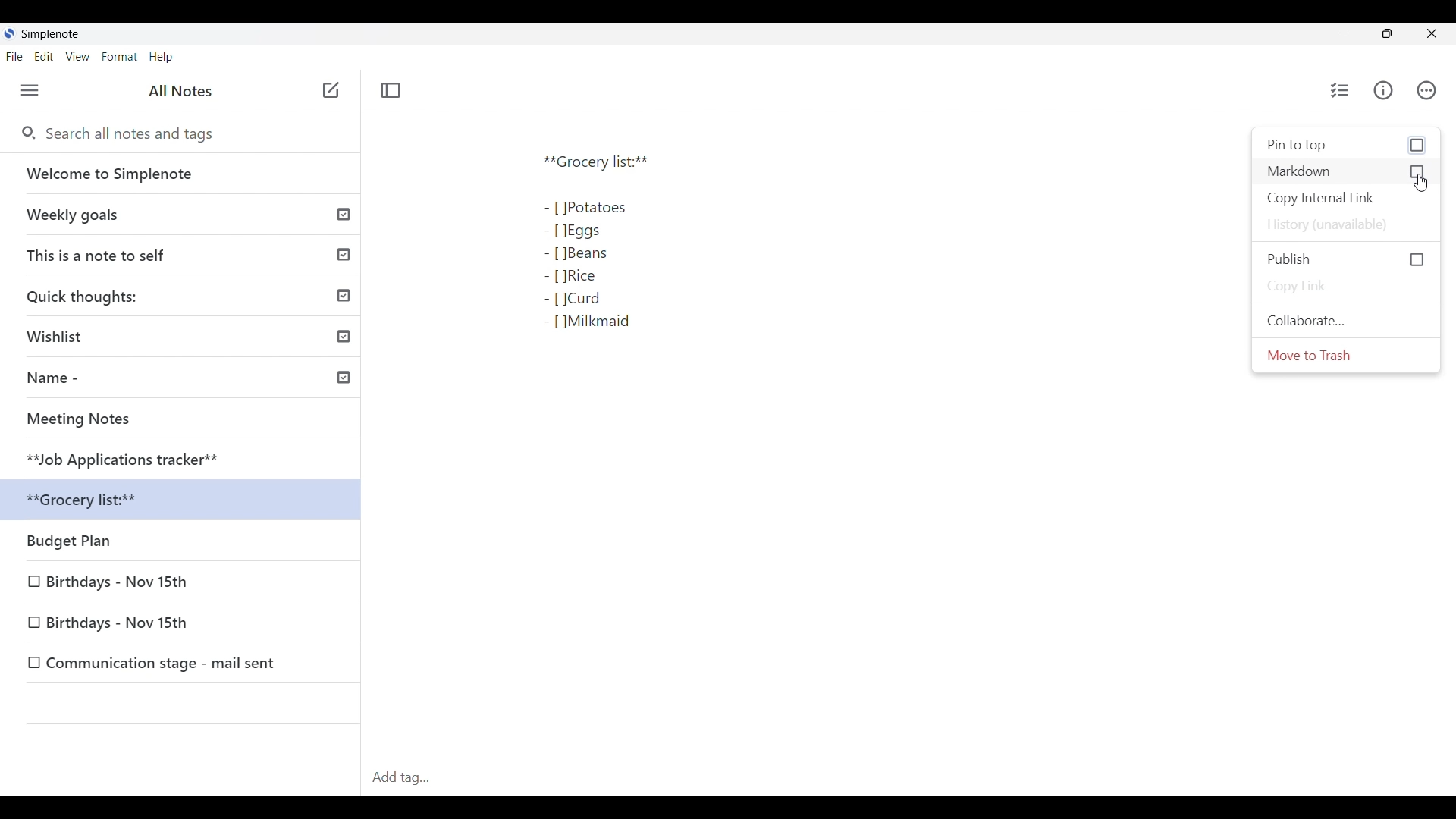 Image resolution: width=1456 pixels, height=819 pixels. I want to click on Search all notes and tags, so click(127, 133).